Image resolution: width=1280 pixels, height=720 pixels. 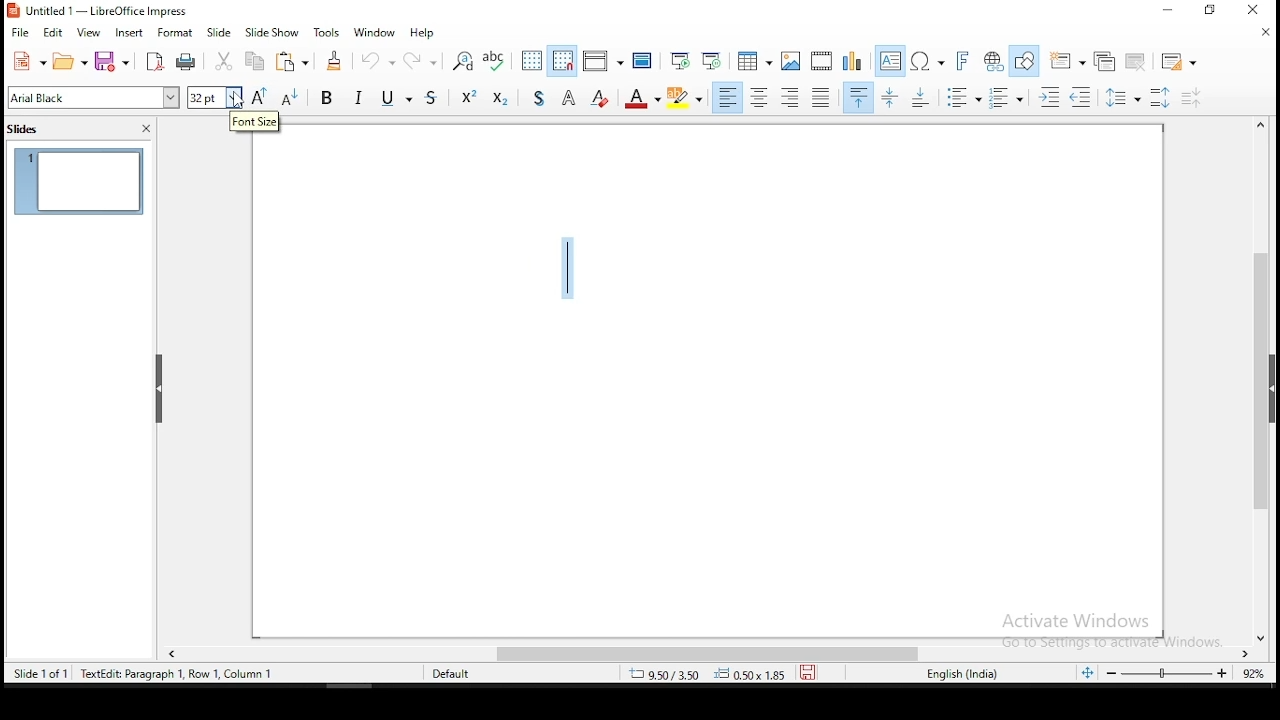 What do you see at coordinates (375, 33) in the screenshot?
I see `window` at bounding box center [375, 33].